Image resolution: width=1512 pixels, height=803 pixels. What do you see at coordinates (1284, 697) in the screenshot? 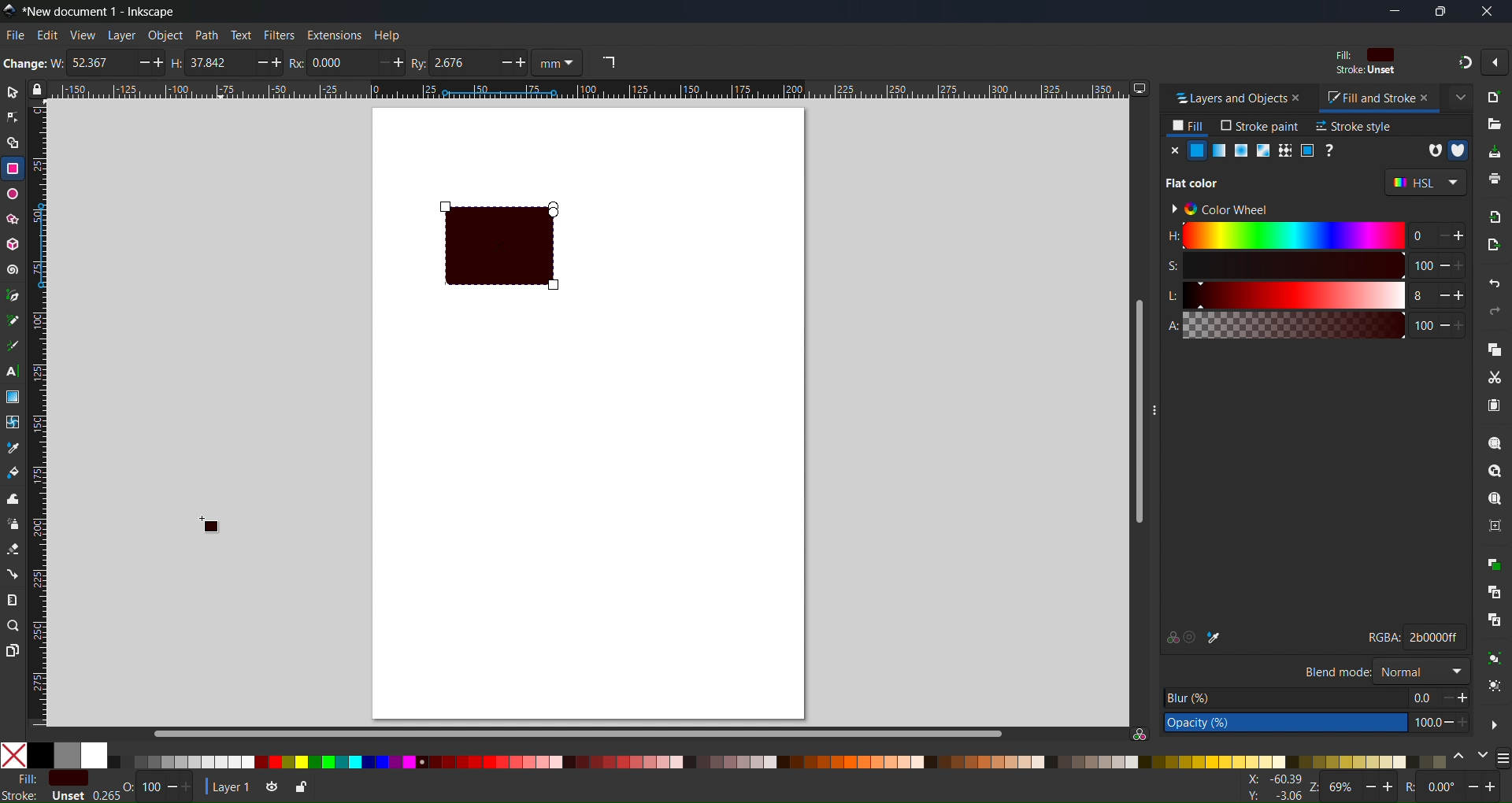
I see `edit Blur percentage` at bounding box center [1284, 697].